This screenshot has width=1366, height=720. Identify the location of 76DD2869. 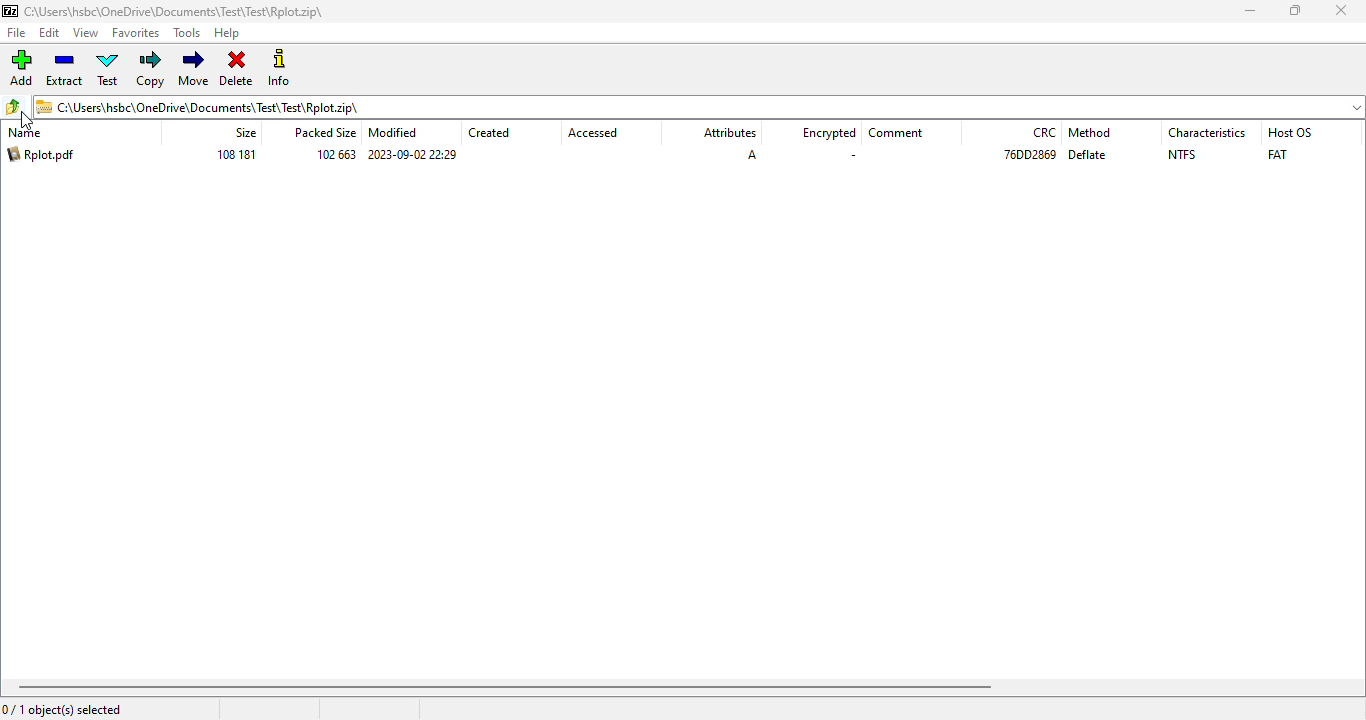
(1030, 154).